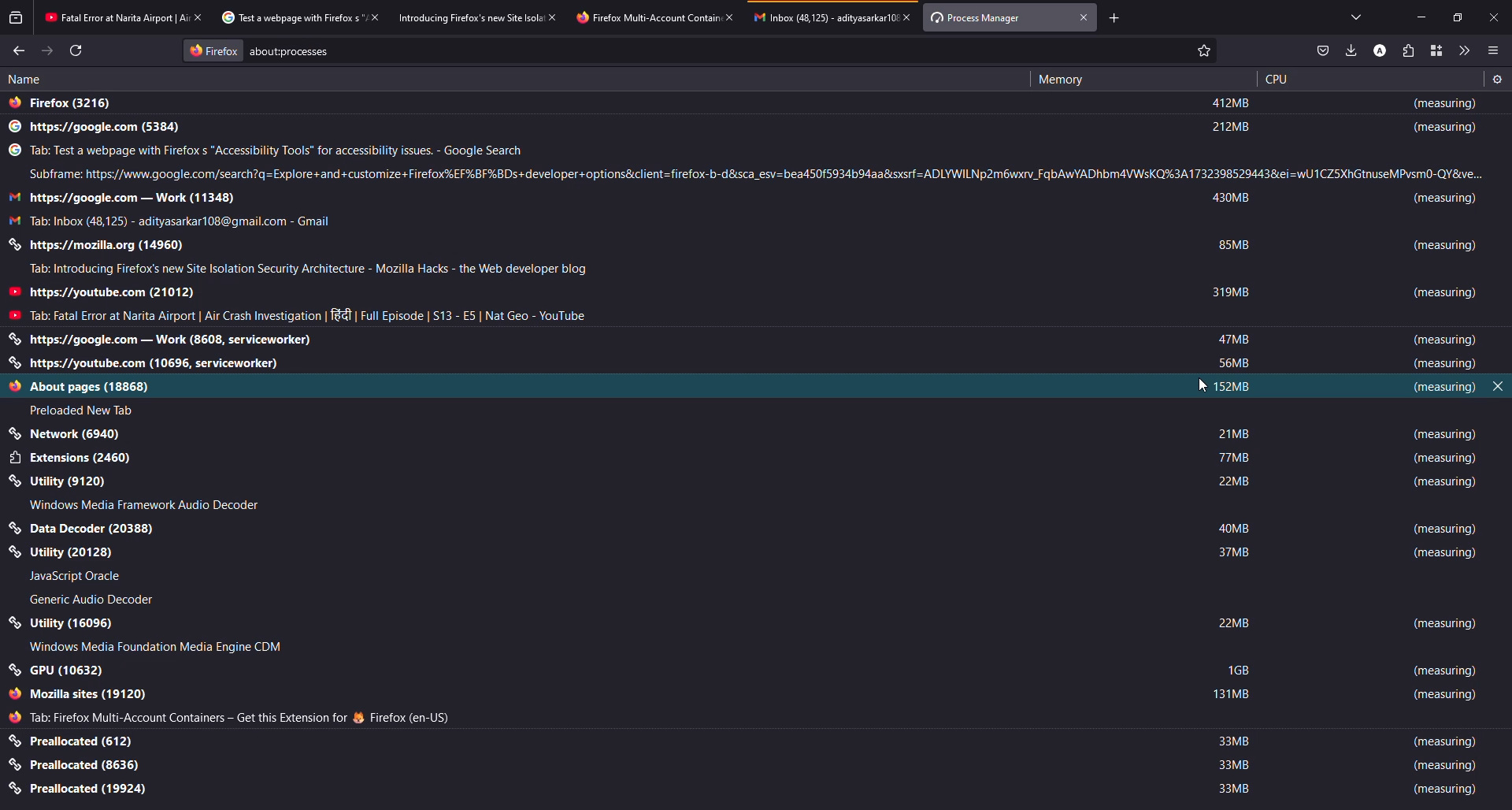 This screenshot has width=1512, height=810. I want to click on measuring, so click(1442, 102).